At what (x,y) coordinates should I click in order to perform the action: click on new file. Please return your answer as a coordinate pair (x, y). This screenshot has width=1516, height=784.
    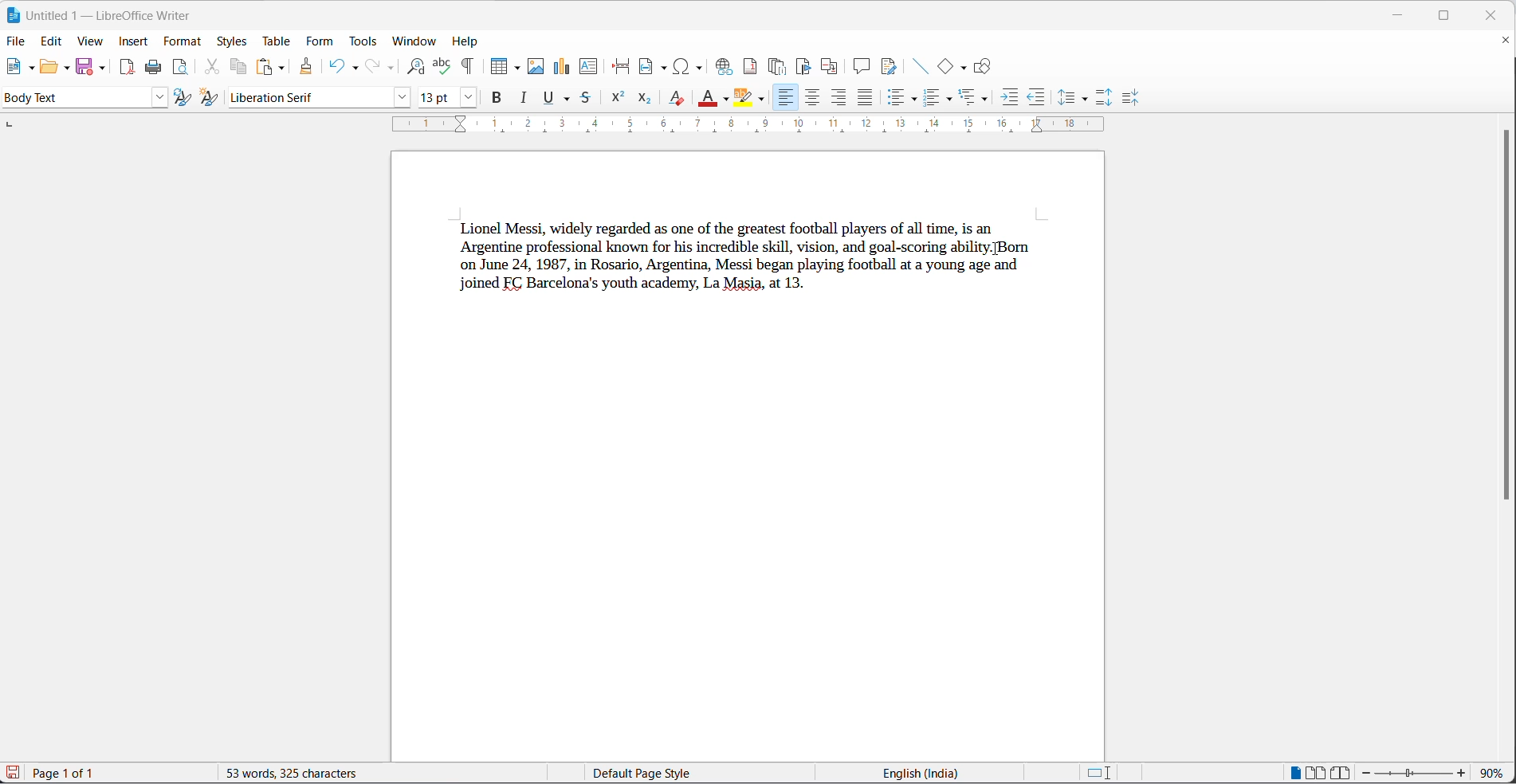
    Looking at the image, I should click on (10, 67).